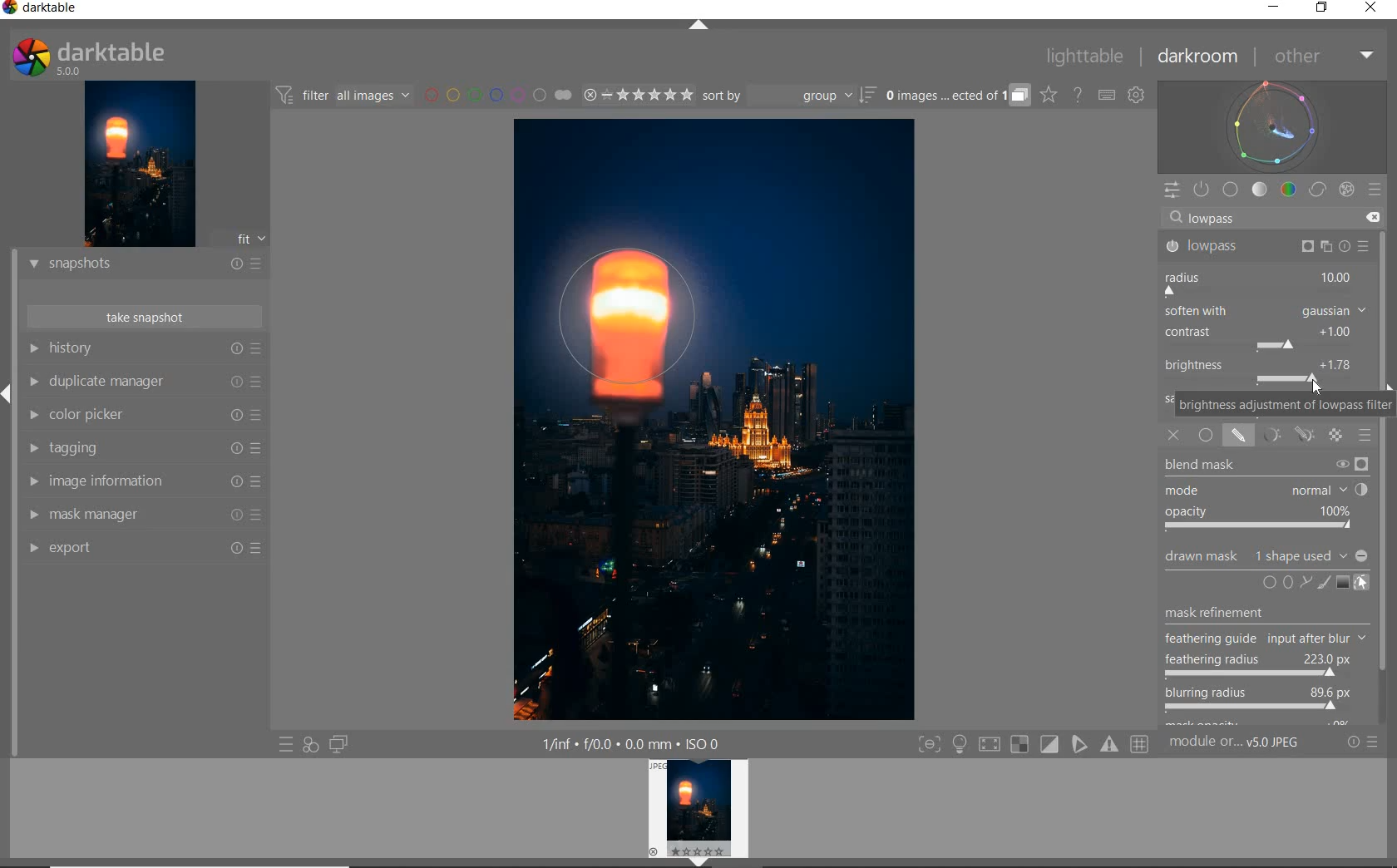 The image size is (1397, 868). What do you see at coordinates (699, 25) in the screenshot?
I see `EXPAND/COLLAPSE` at bounding box center [699, 25].